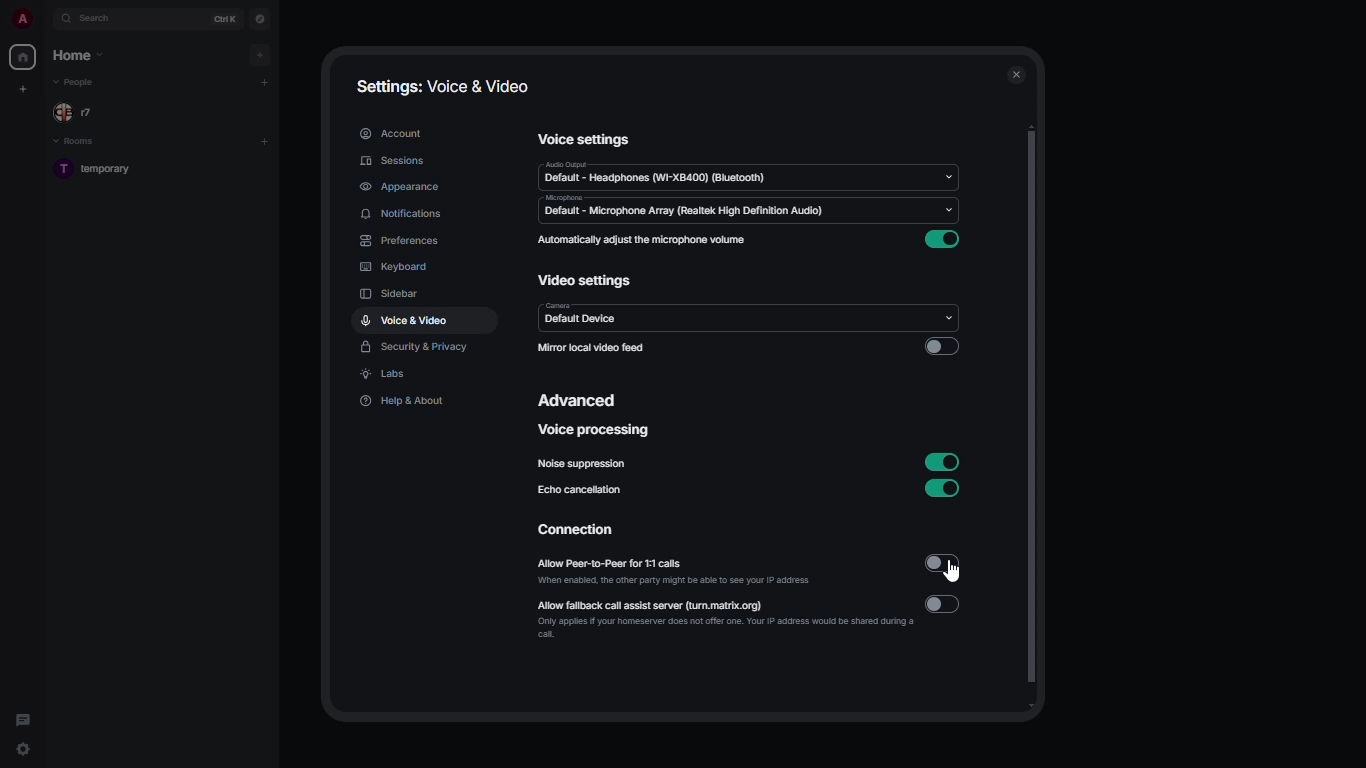 The image size is (1366, 768). What do you see at coordinates (958, 575) in the screenshot?
I see `cursor` at bounding box center [958, 575].